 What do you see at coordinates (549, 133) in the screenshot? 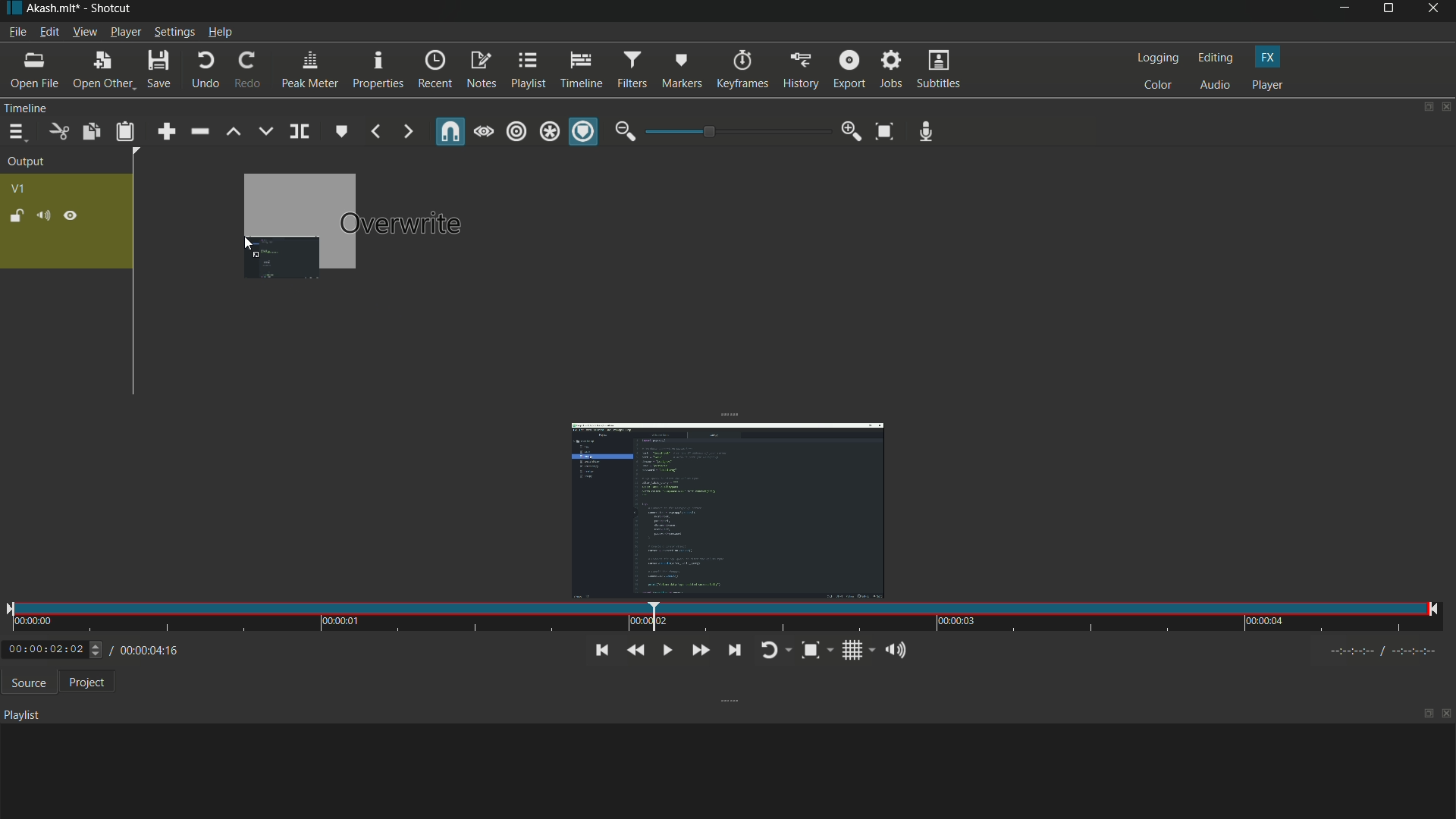
I see `ripple all tracks` at bounding box center [549, 133].